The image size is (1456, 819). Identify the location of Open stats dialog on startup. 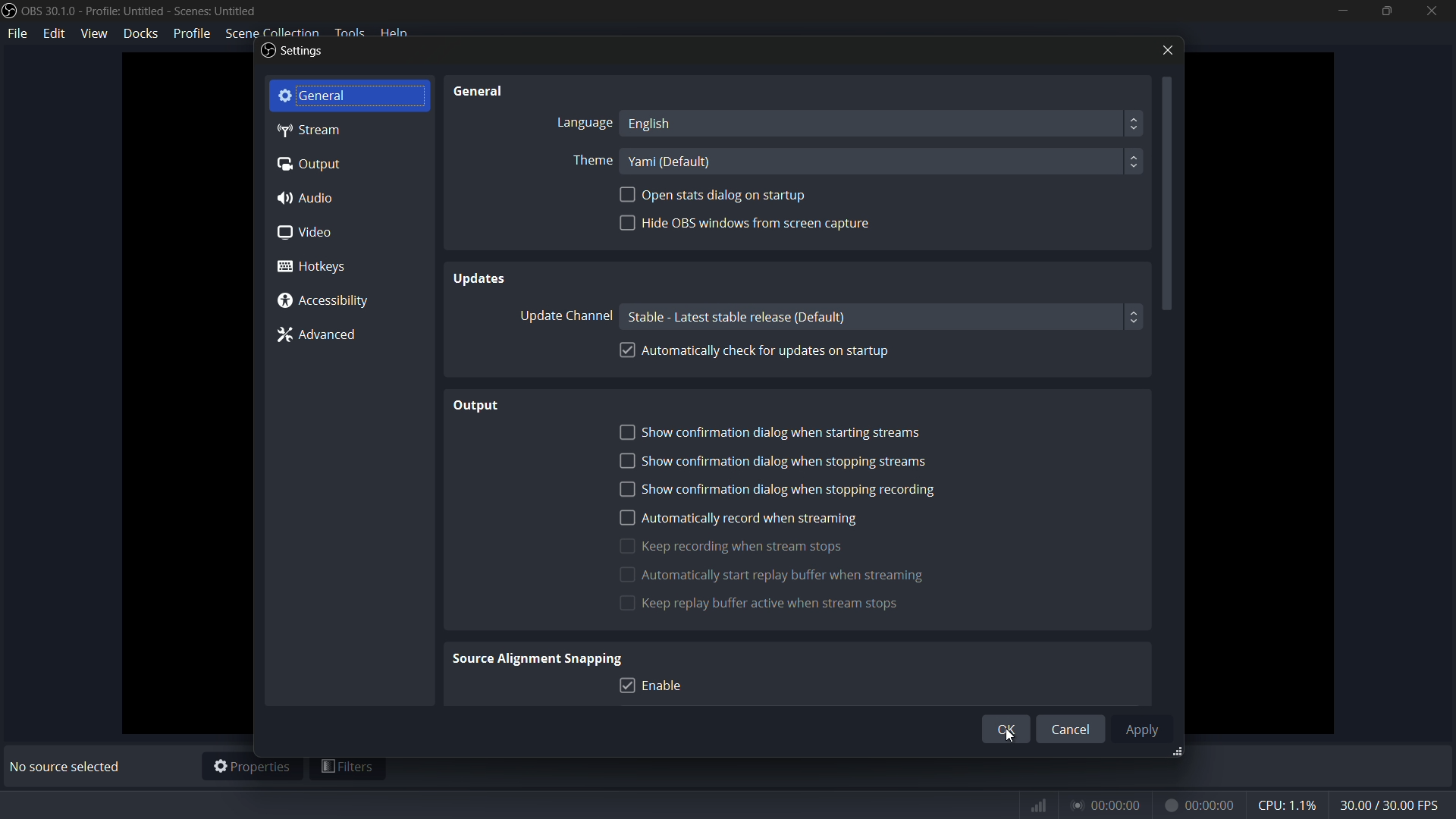
(714, 196).